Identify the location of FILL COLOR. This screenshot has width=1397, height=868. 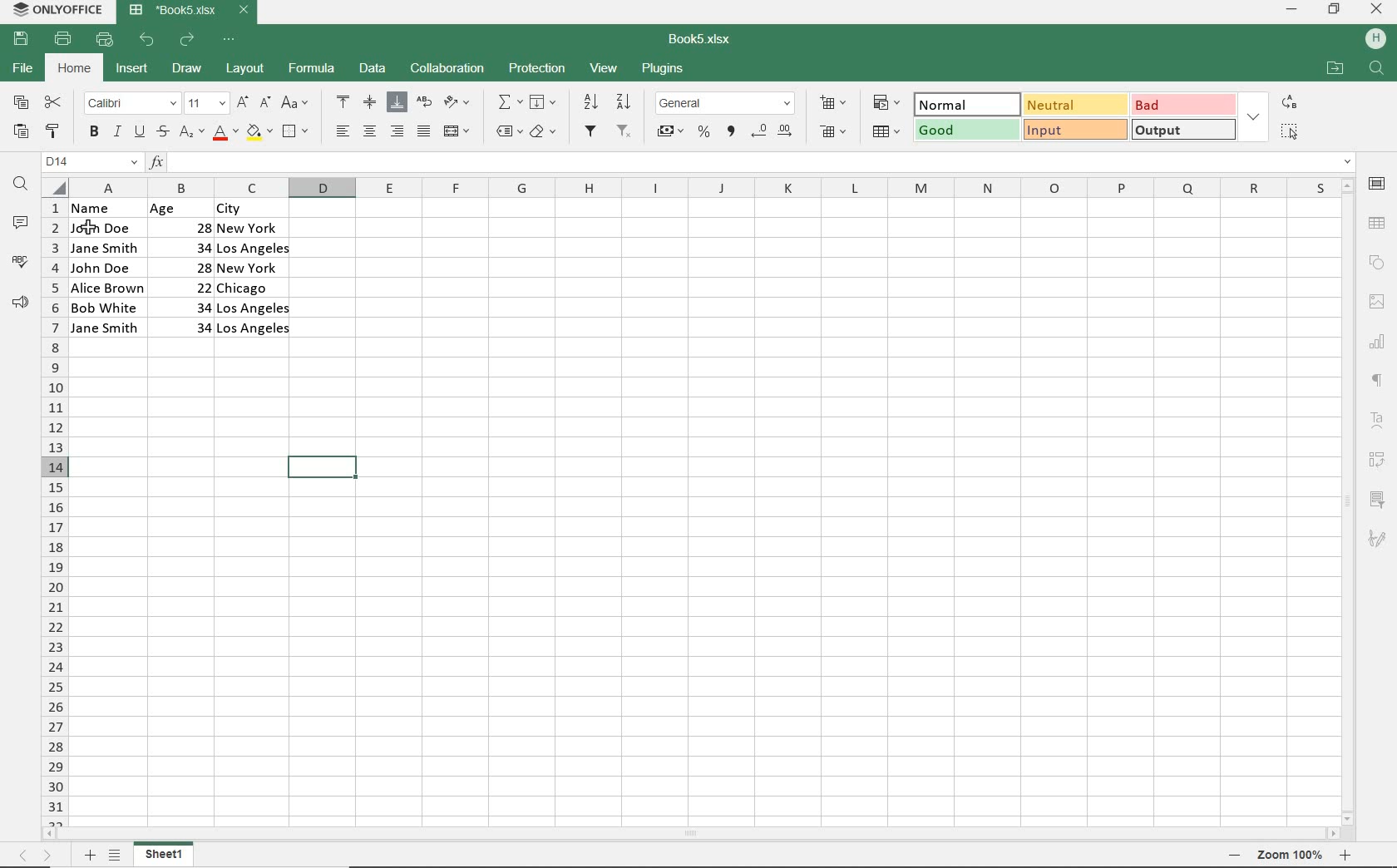
(259, 131).